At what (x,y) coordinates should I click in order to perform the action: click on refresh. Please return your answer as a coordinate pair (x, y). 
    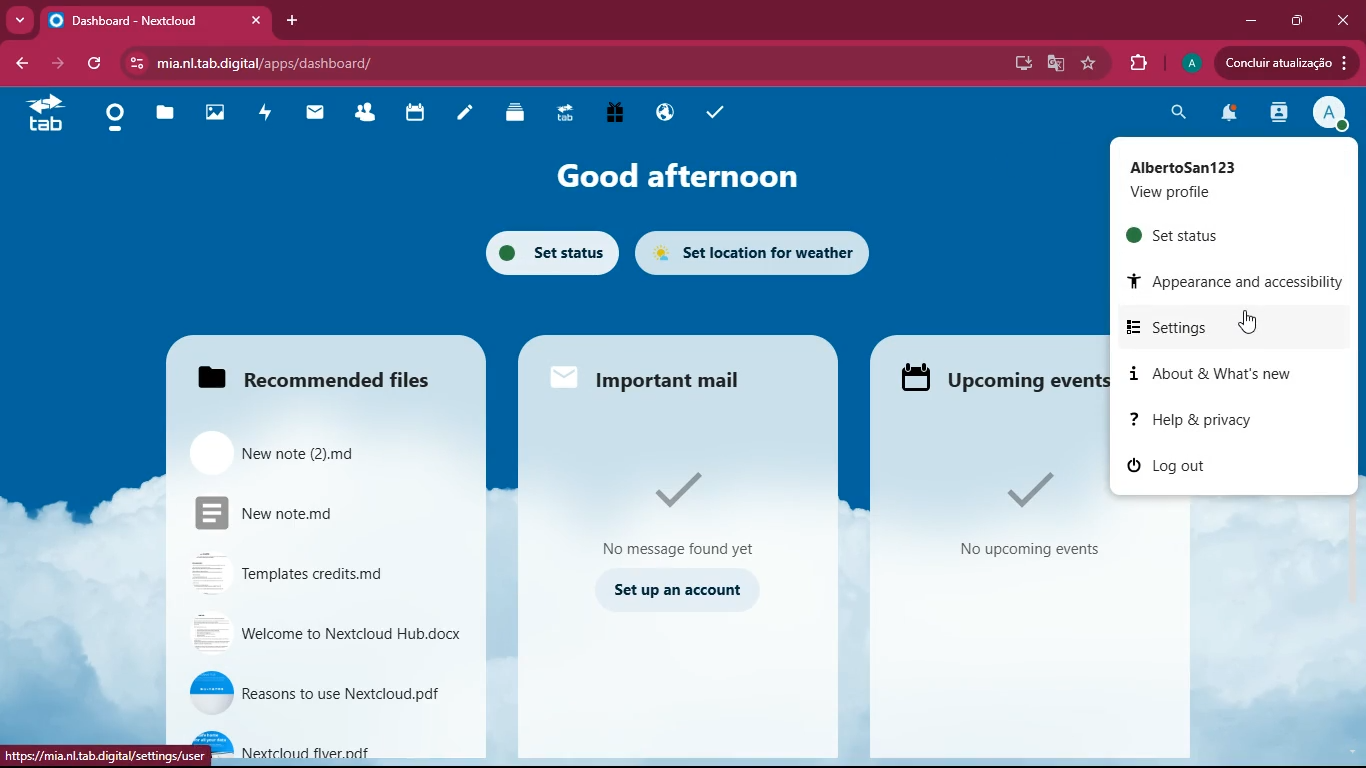
    Looking at the image, I should click on (97, 63).